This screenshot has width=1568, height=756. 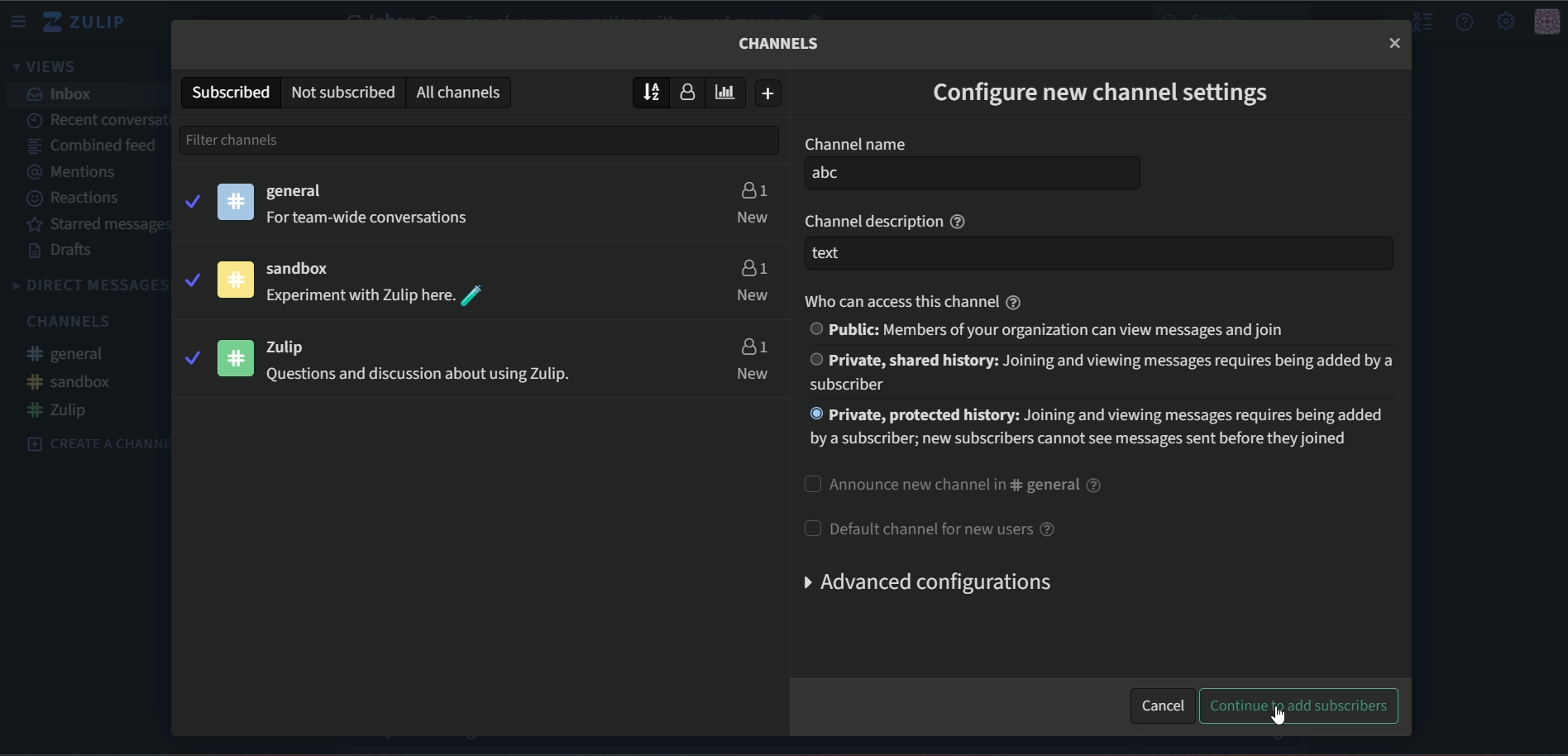 What do you see at coordinates (730, 92) in the screenshot?
I see `poll` at bounding box center [730, 92].